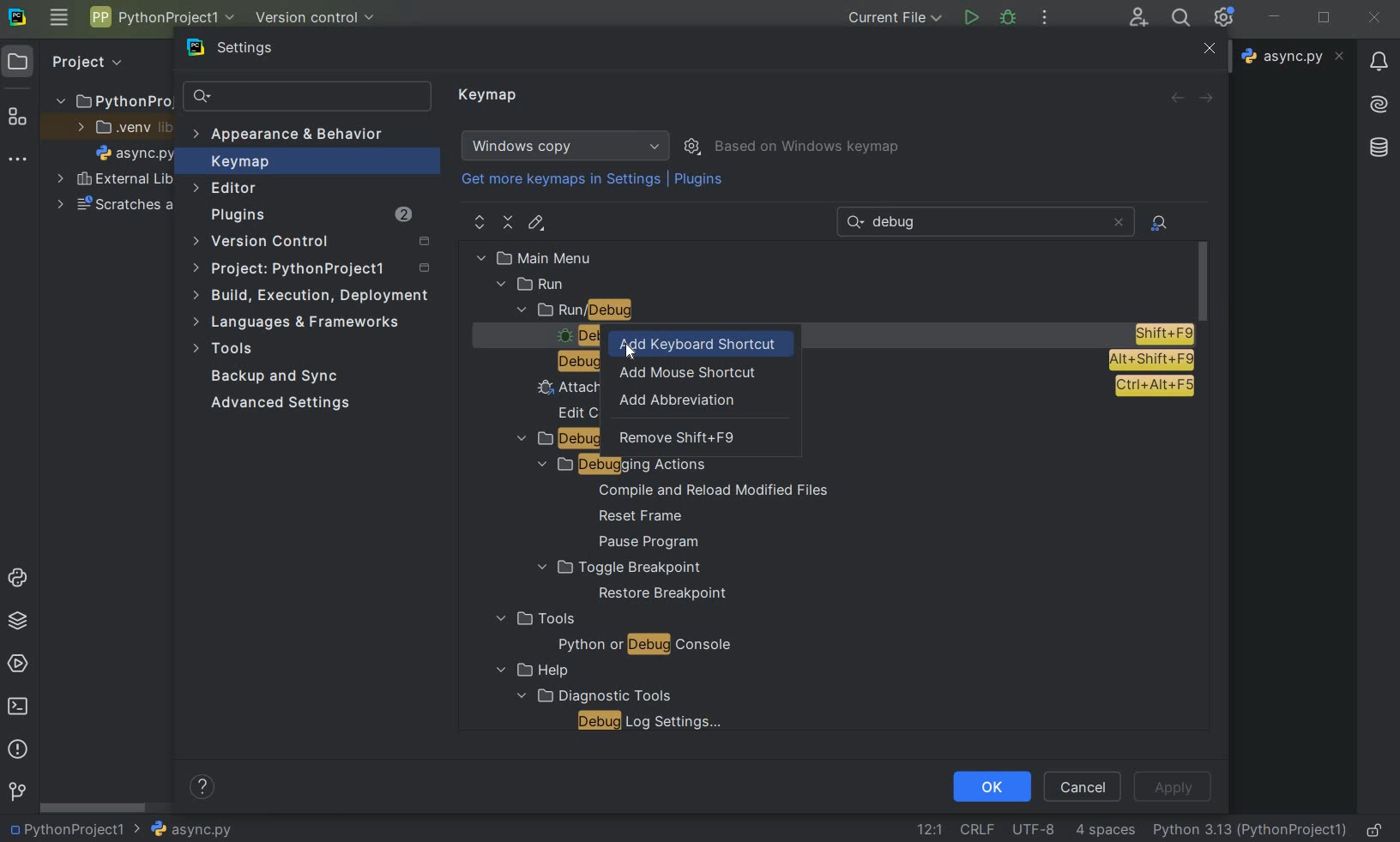  Describe the element at coordinates (694, 145) in the screenshot. I see `show scheme actions` at that location.